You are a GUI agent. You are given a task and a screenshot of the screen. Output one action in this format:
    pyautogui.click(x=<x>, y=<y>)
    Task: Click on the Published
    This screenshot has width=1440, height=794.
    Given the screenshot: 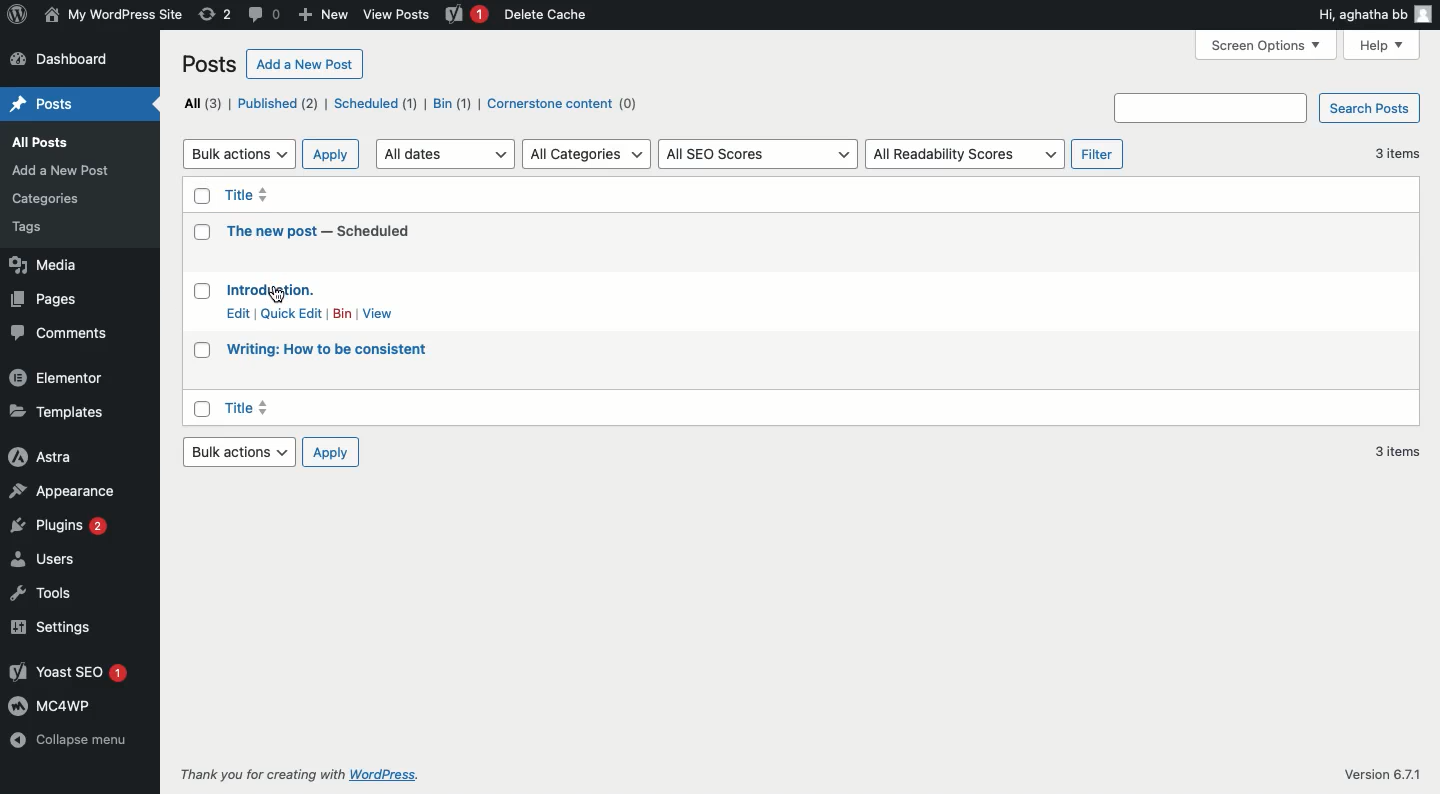 What is the action you would take?
    pyautogui.click(x=278, y=102)
    